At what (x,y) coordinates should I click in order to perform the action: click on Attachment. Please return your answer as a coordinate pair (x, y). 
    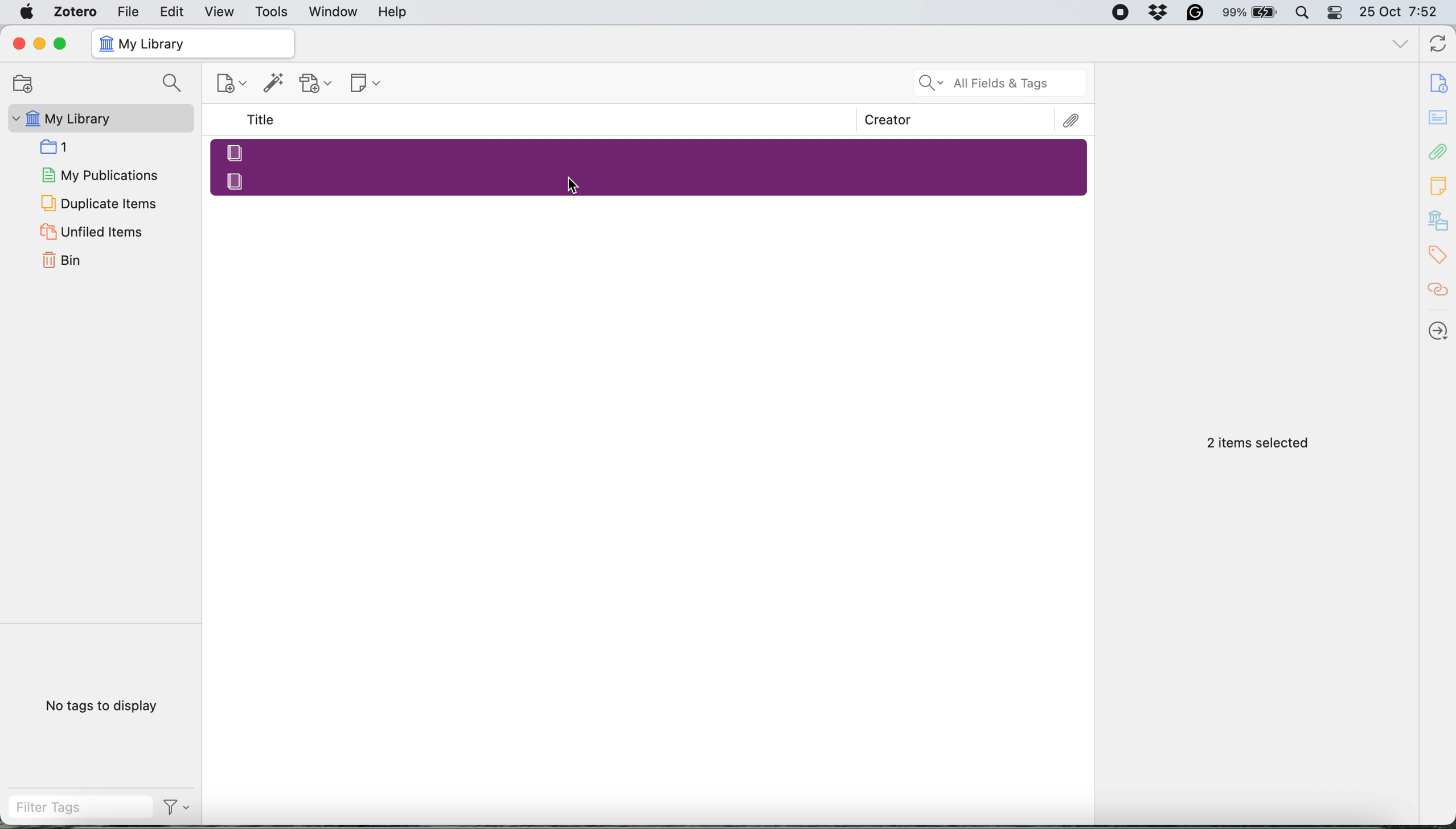
    Looking at the image, I should click on (1439, 151).